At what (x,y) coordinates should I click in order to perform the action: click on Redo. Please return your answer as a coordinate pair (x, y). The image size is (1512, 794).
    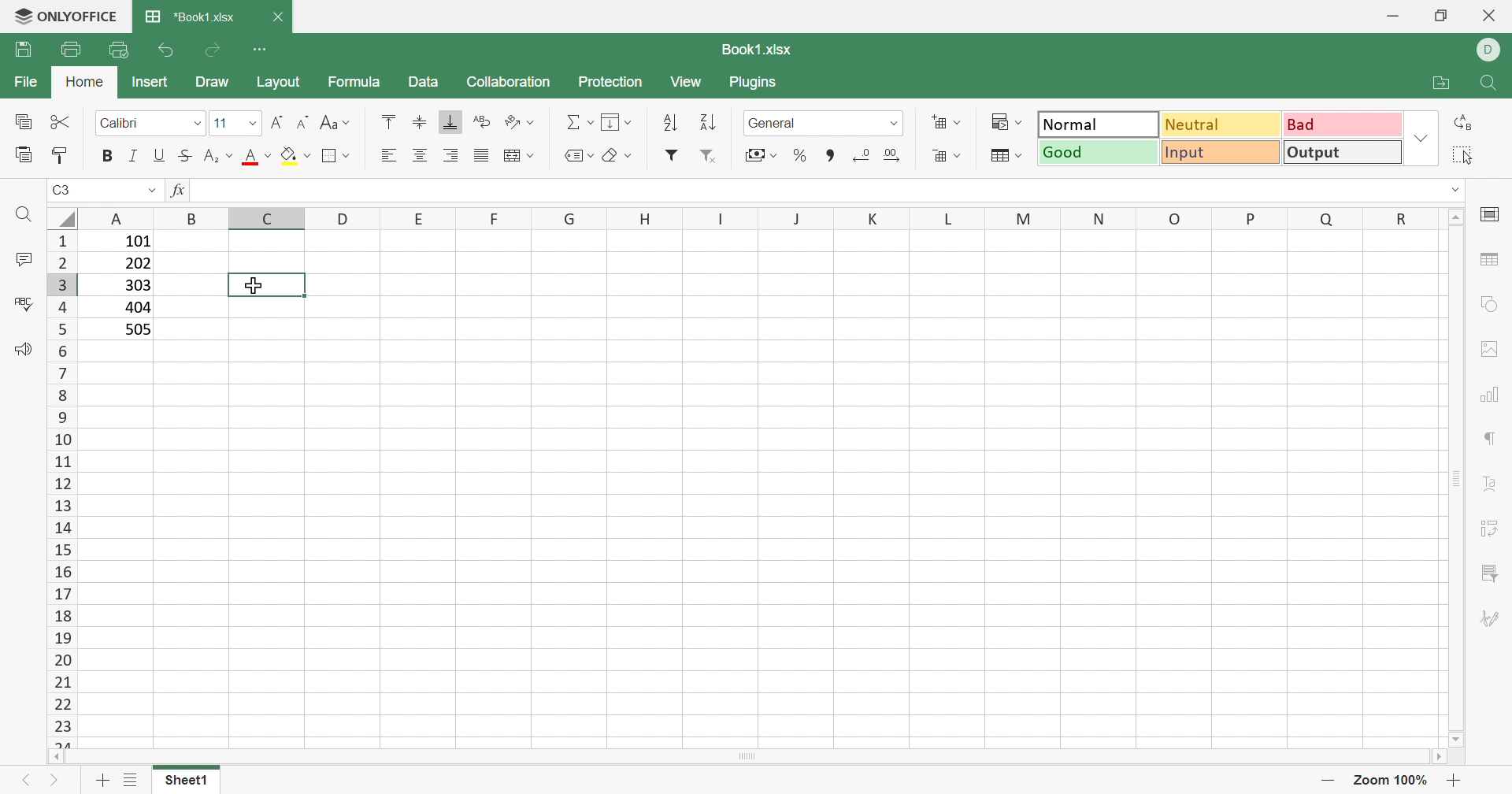
    Looking at the image, I should click on (216, 50).